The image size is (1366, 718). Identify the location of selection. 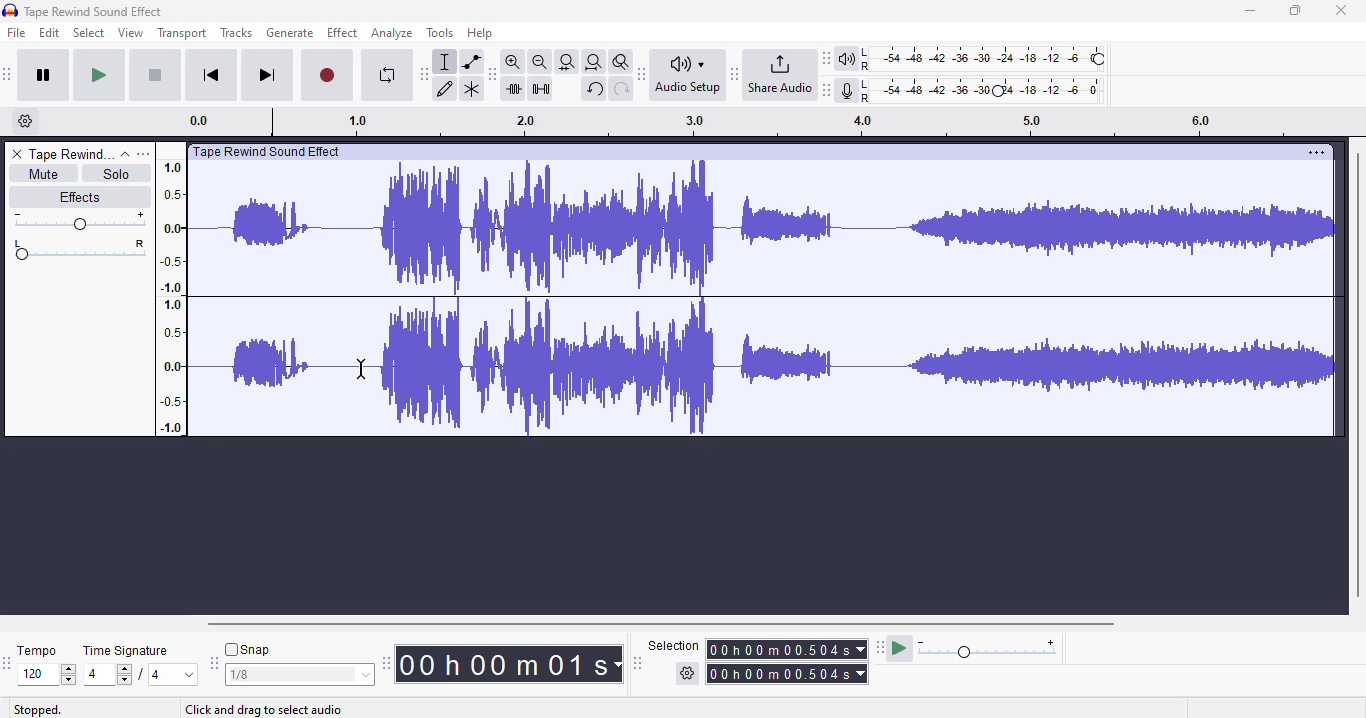
(759, 660).